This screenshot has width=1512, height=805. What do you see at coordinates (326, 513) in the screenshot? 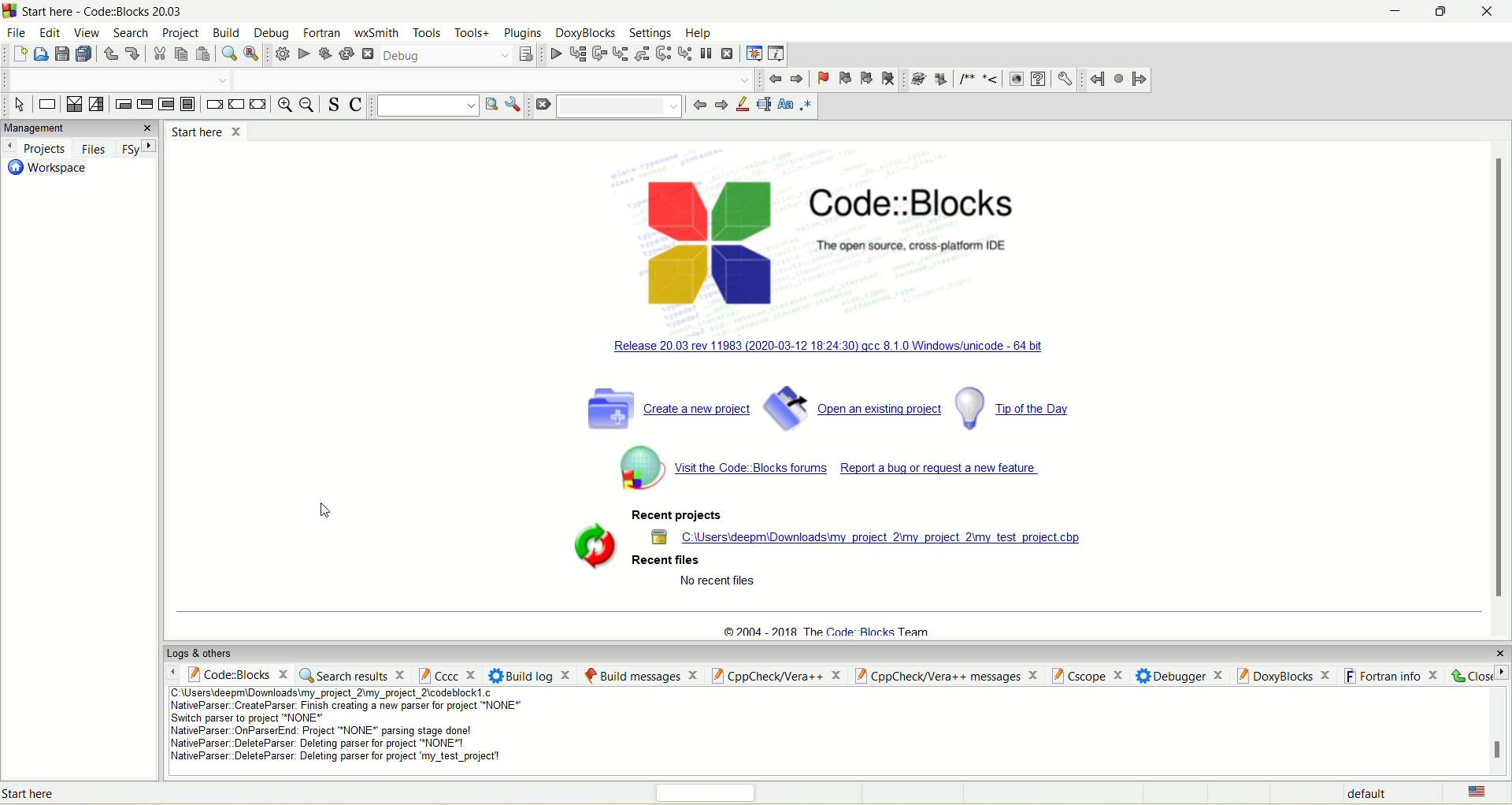
I see `Cursor` at bounding box center [326, 513].